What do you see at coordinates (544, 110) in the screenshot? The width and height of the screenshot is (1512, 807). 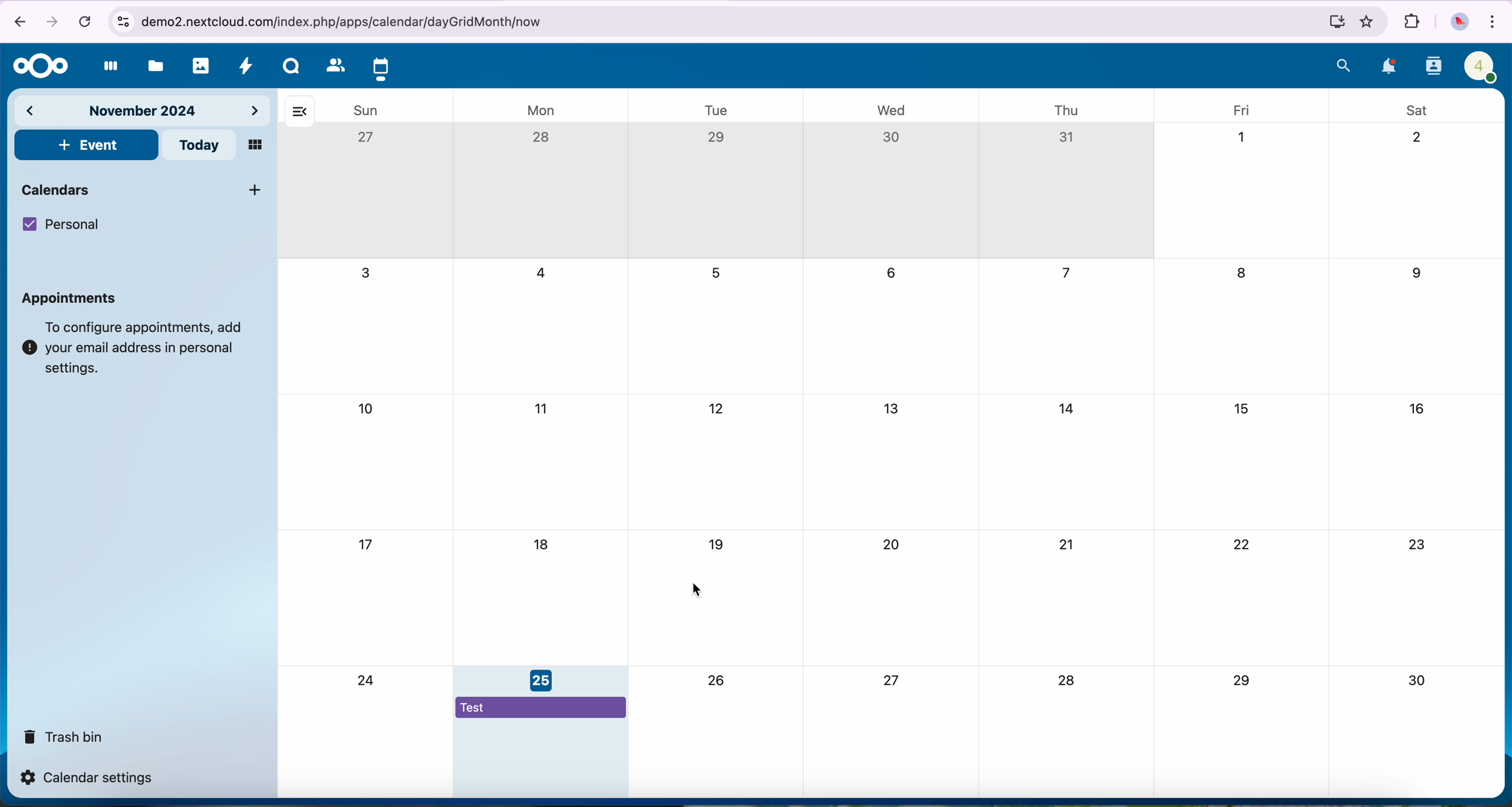 I see `mon` at bounding box center [544, 110].